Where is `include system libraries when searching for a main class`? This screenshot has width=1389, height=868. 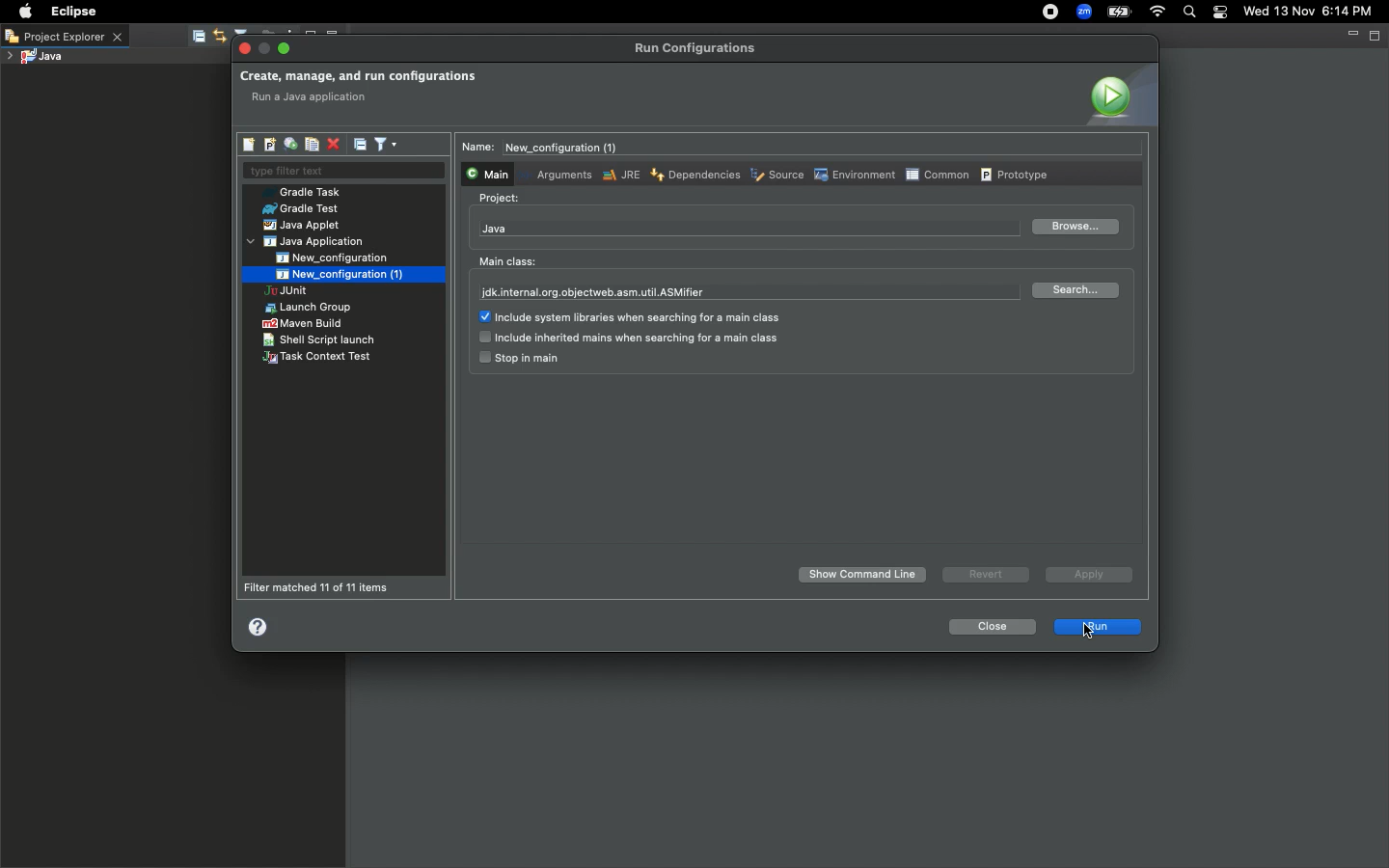
include system libraries when searching for a main class is located at coordinates (637, 318).